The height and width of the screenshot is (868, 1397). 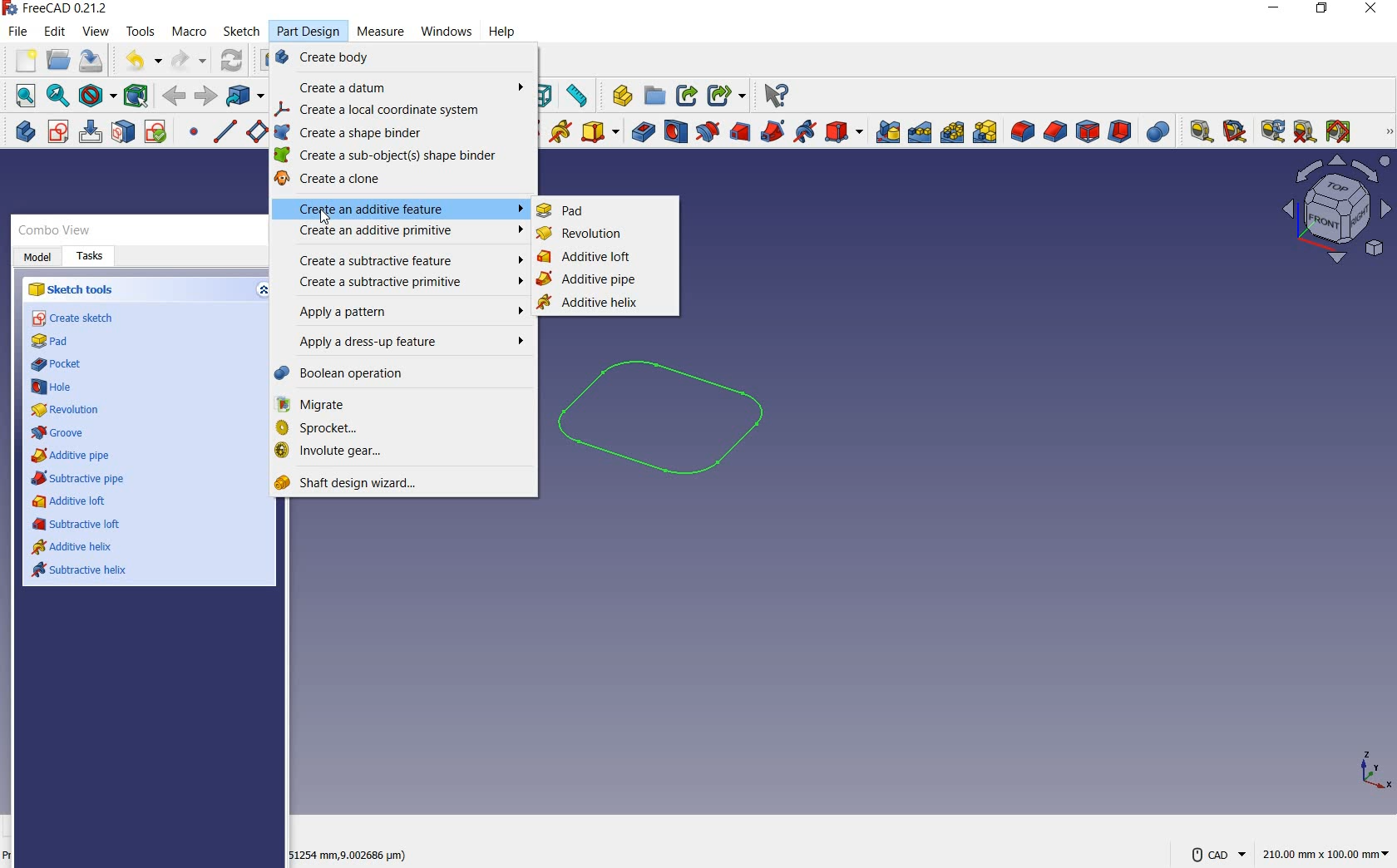 What do you see at coordinates (597, 303) in the screenshot?
I see `additive helix` at bounding box center [597, 303].